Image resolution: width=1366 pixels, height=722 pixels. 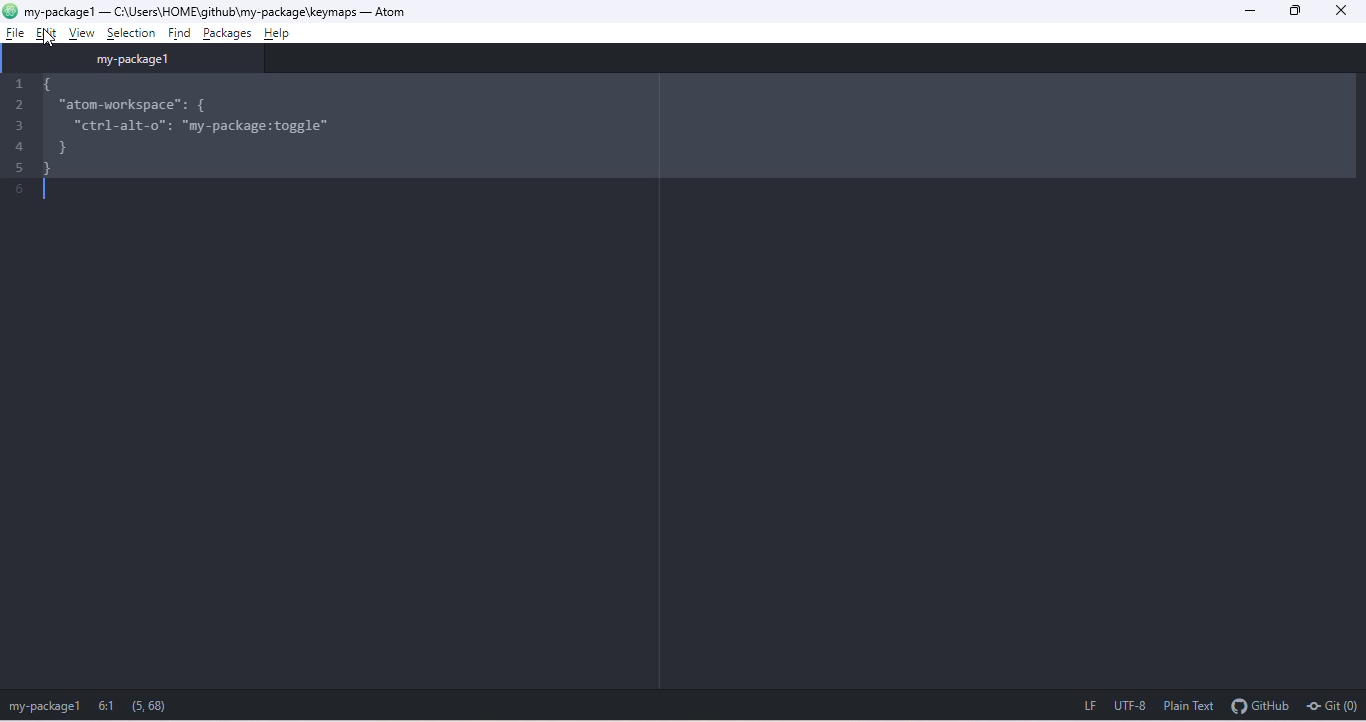 What do you see at coordinates (1300, 10) in the screenshot?
I see `maximize` at bounding box center [1300, 10].